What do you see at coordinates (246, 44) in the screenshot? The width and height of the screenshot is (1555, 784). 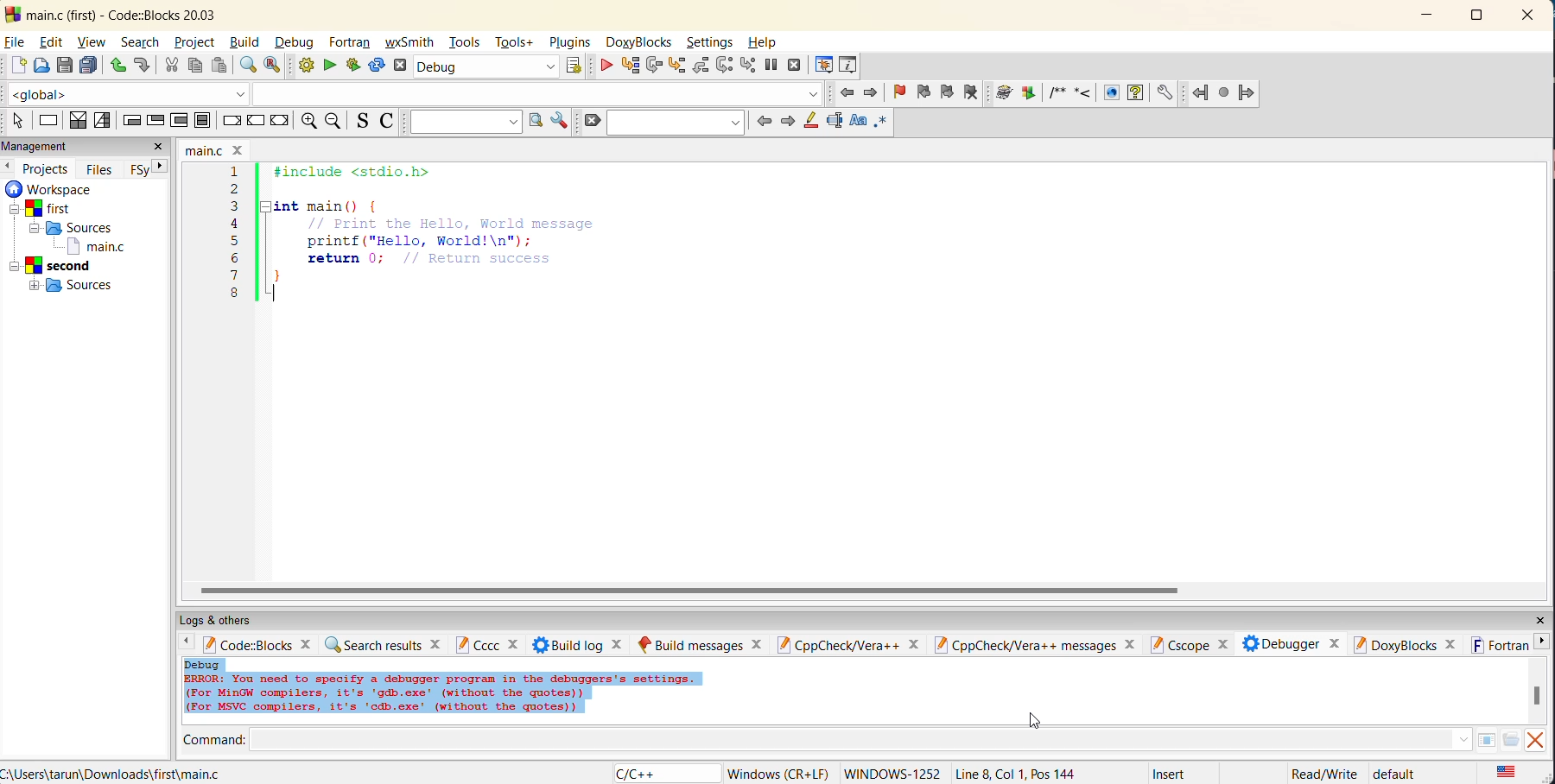 I see `build` at bounding box center [246, 44].